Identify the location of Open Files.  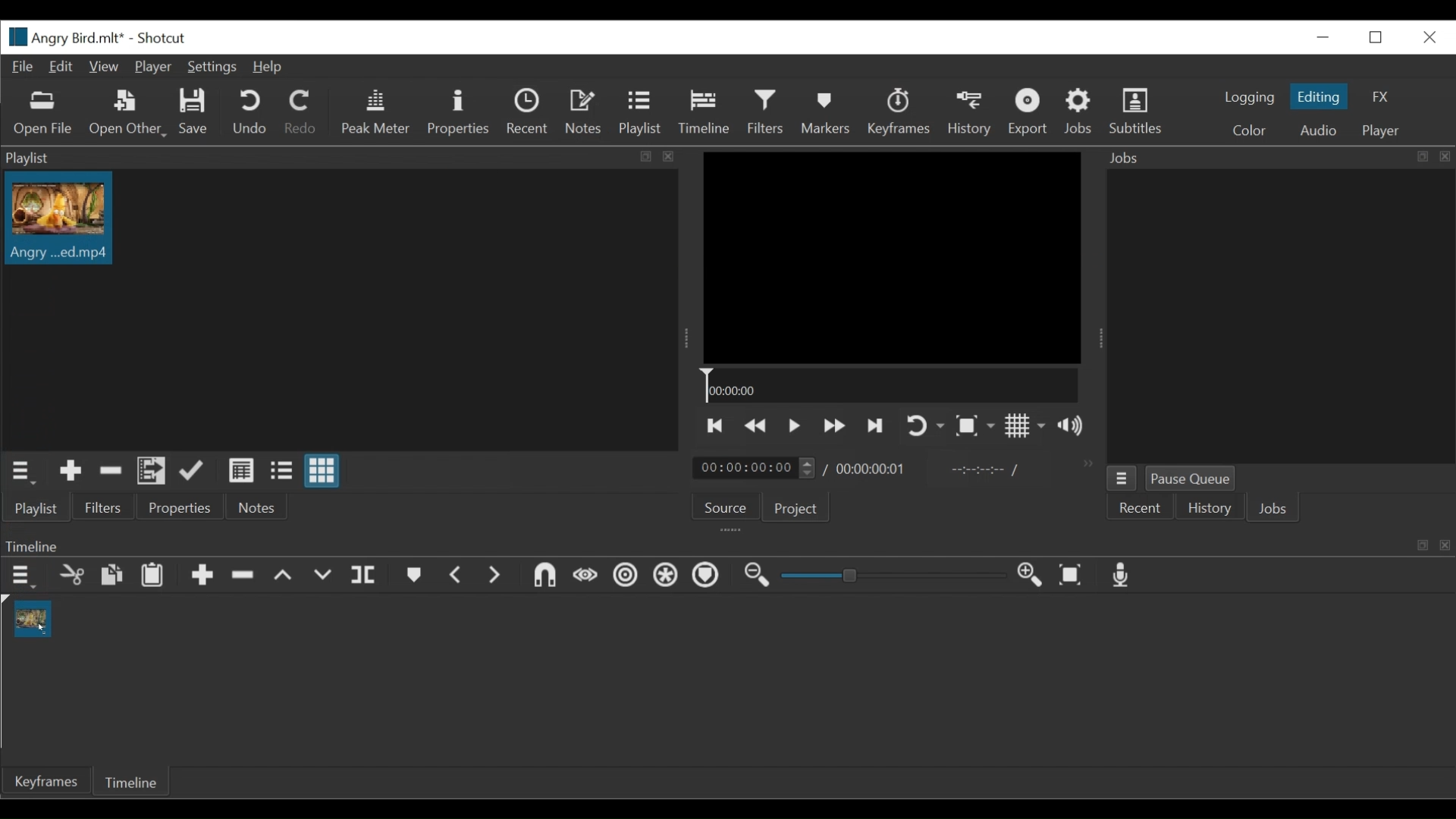
(44, 114).